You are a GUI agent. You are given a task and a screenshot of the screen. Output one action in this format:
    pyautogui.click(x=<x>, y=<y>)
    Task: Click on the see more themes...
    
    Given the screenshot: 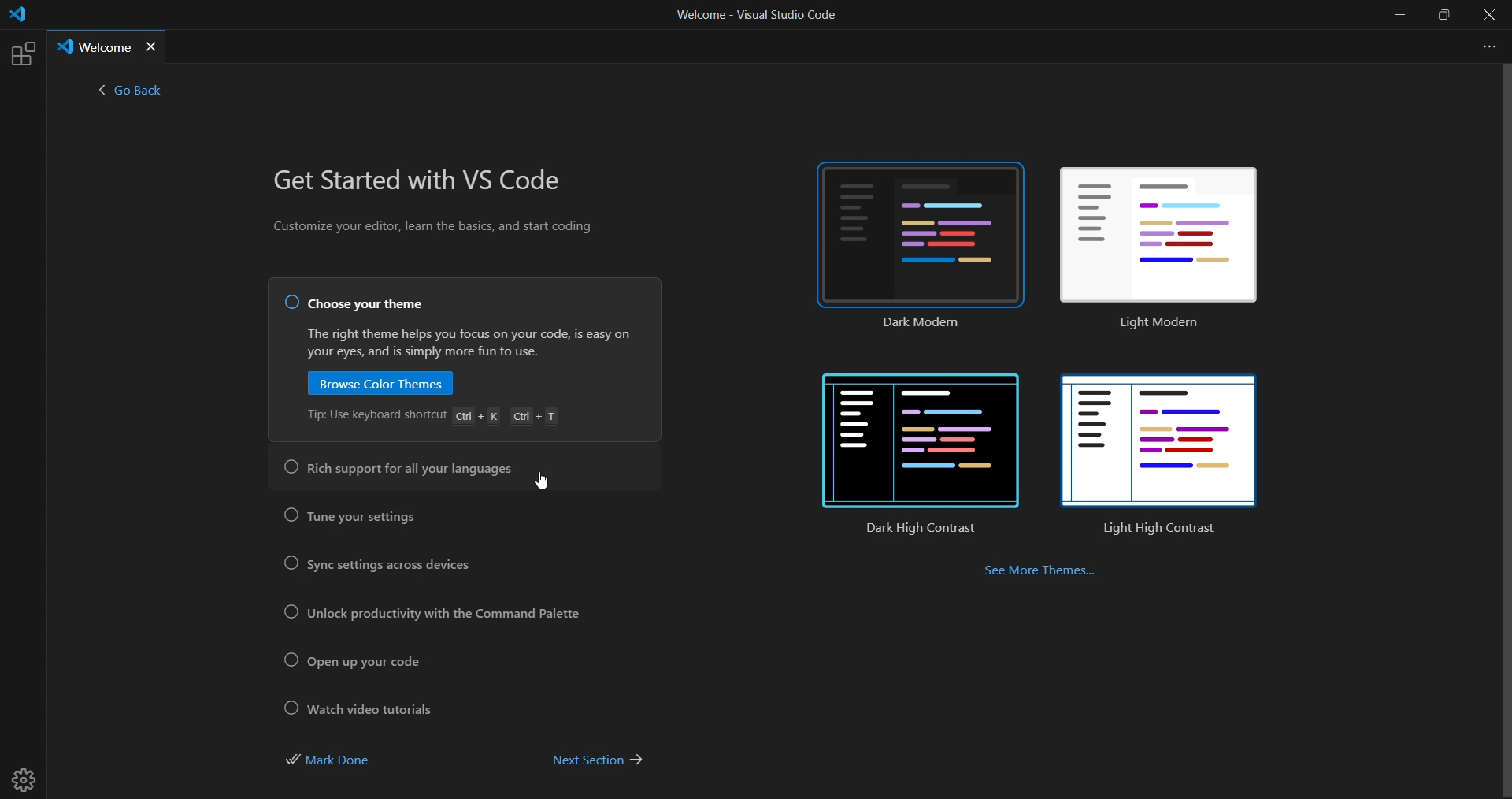 What is the action you would take?
    pyautogui.click(x=1030, y=573)
    